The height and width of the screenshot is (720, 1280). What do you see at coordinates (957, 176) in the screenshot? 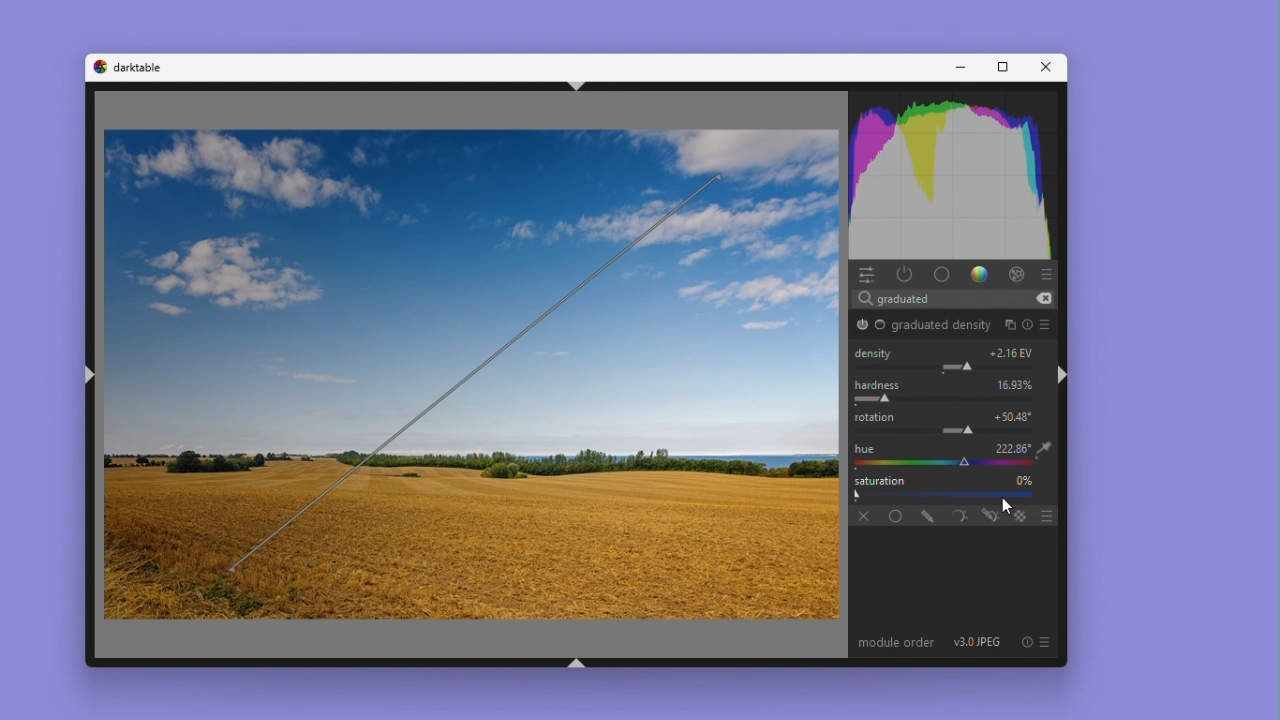
I see `Histogram` at bounding box center [957, 176].